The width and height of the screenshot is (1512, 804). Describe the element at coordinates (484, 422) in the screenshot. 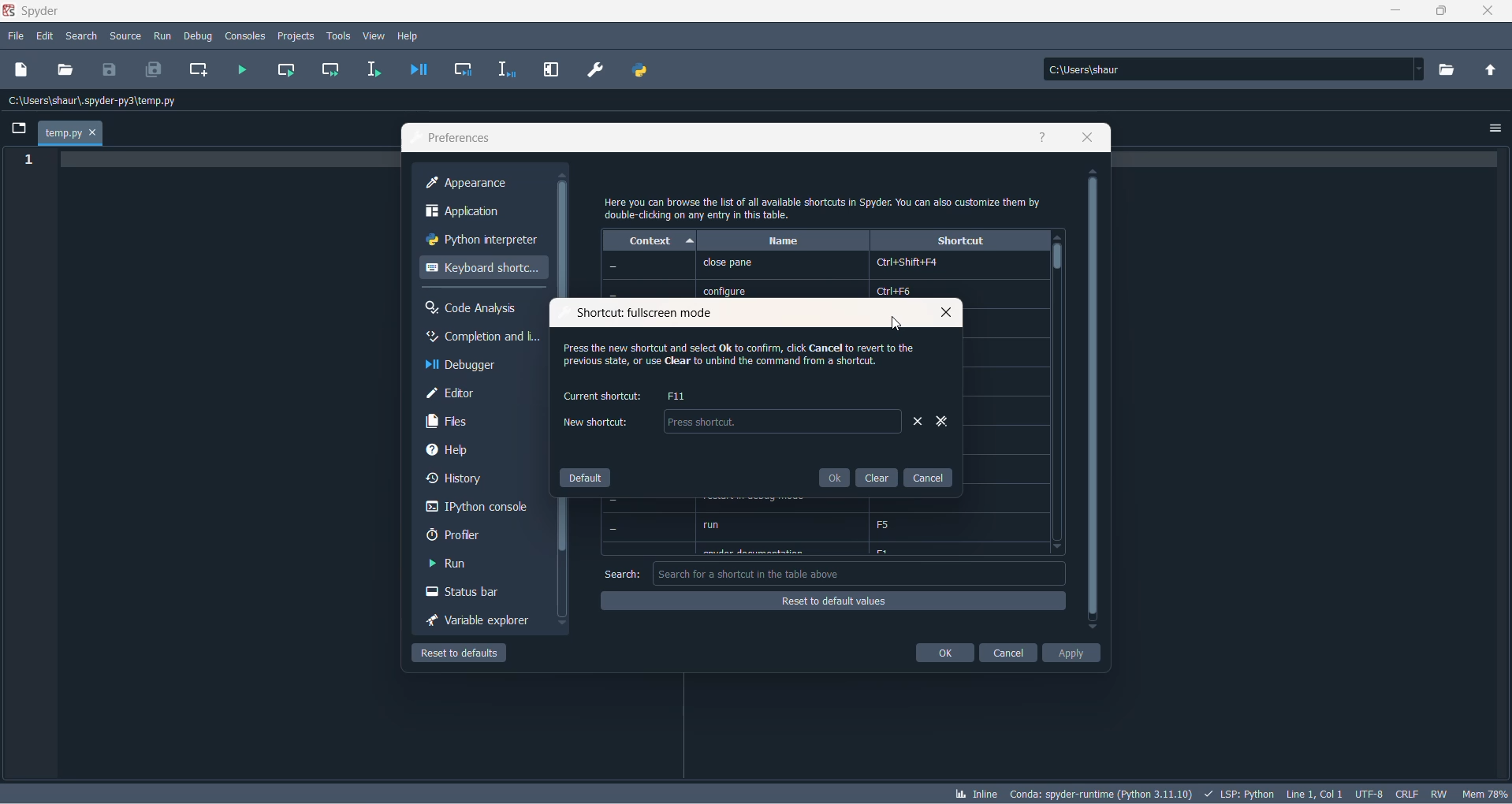

I see `files` at that location.